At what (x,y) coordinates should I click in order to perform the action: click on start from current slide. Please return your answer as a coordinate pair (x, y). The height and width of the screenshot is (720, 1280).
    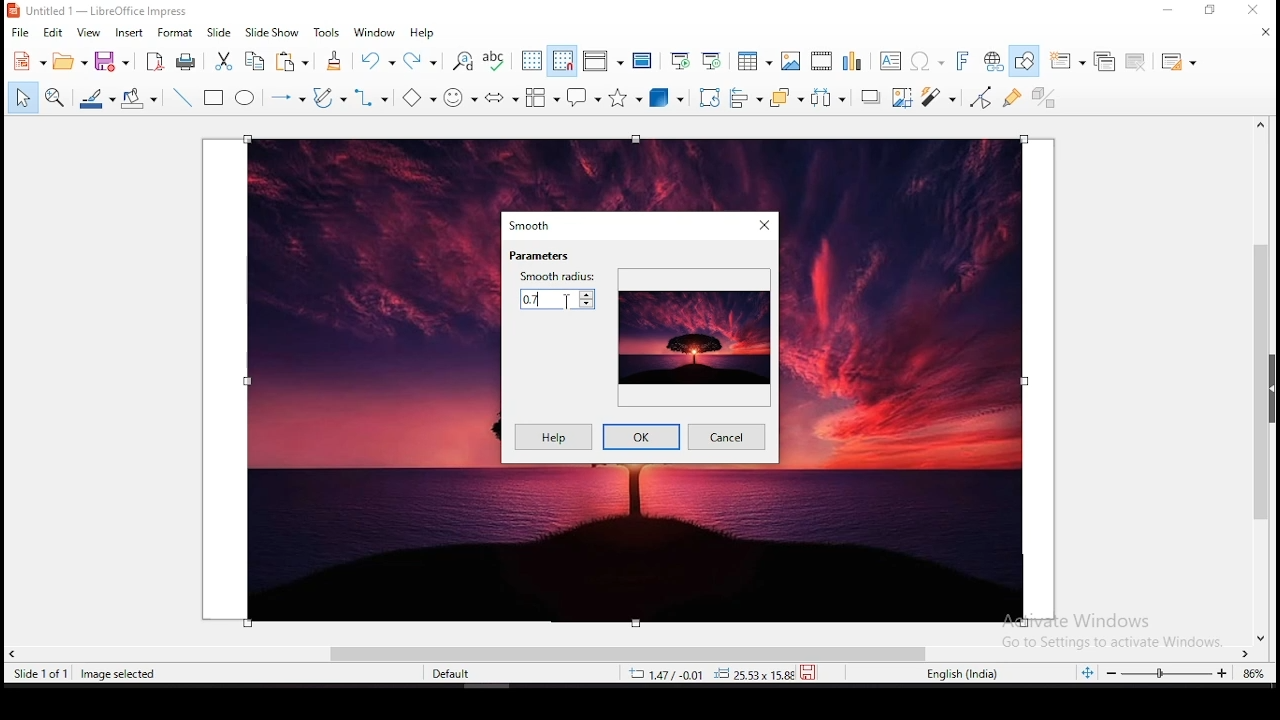
    Looking at the image, I should click on (712, 59).